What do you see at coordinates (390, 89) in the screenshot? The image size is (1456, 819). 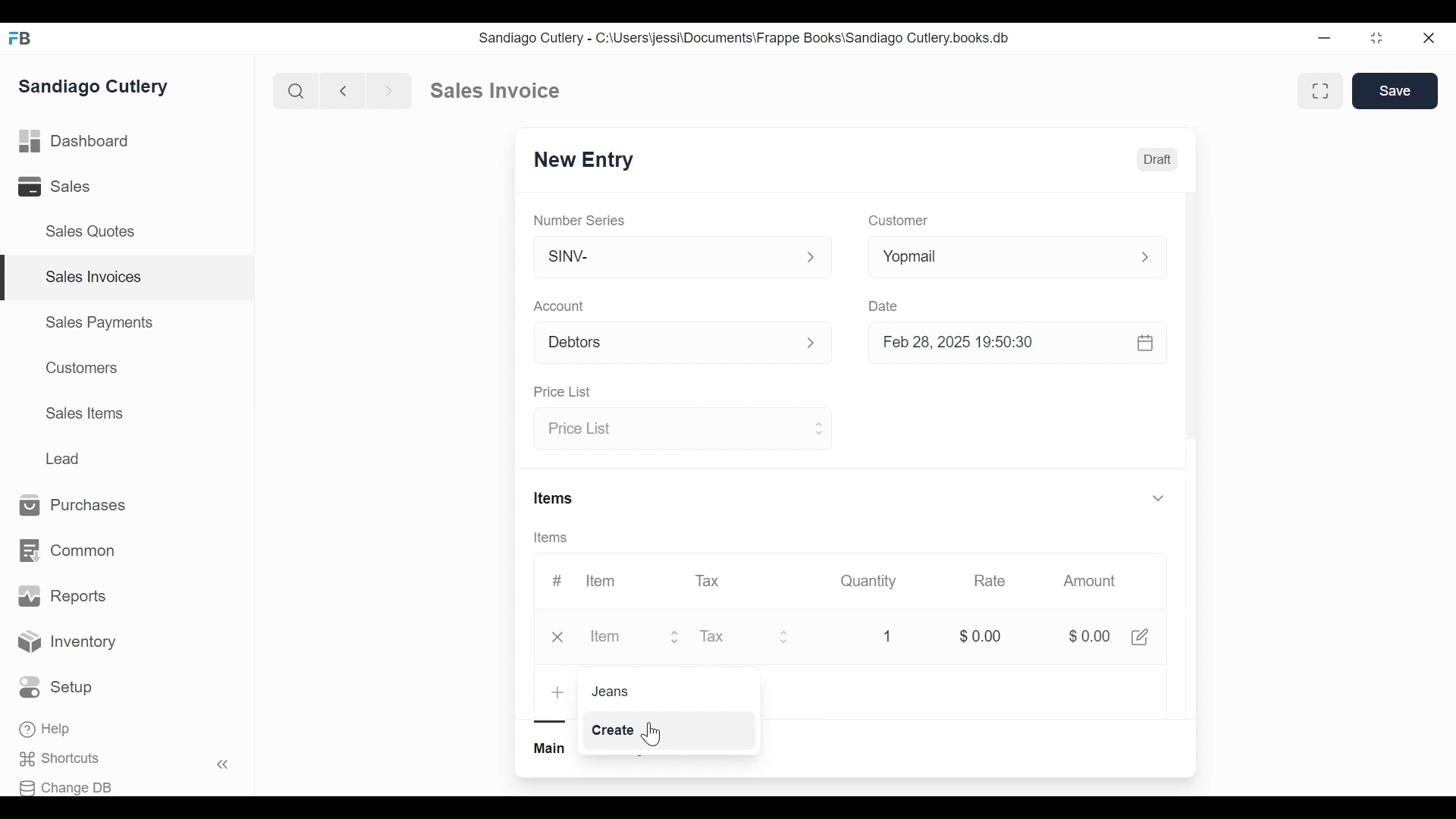 I see `forward` at bounding box center [390, 89].